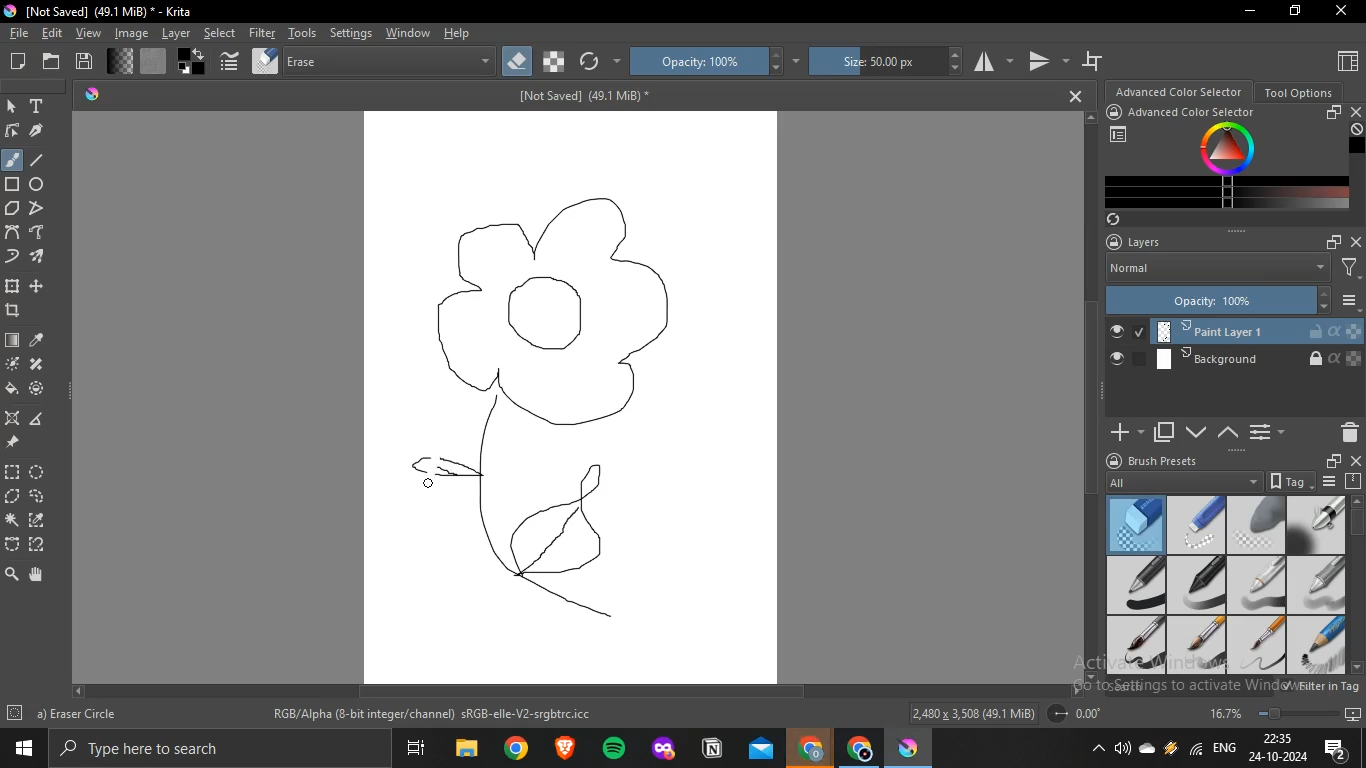  I want to click on layer, so click(173, 34).